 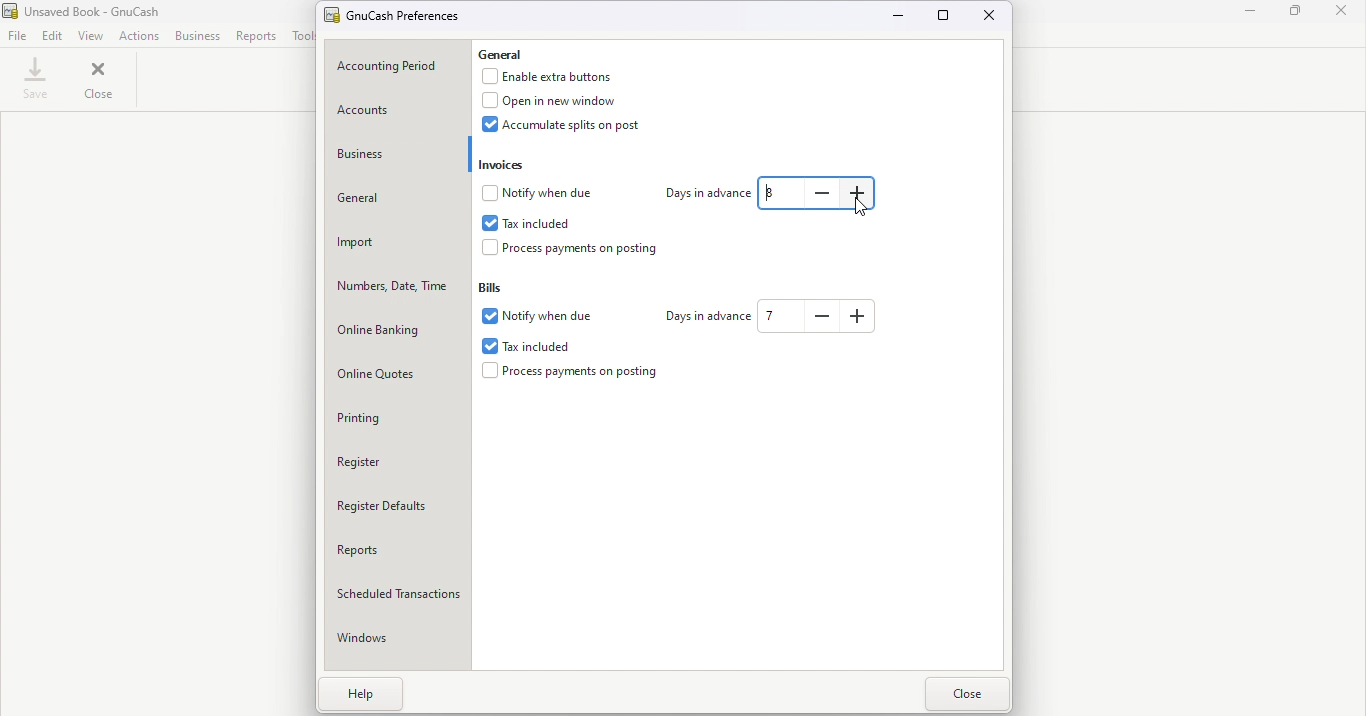 What do you see at coordinates (397, 15) in the screenshot?
I see `GnuCash preferences` at bounding box center [397, 15].